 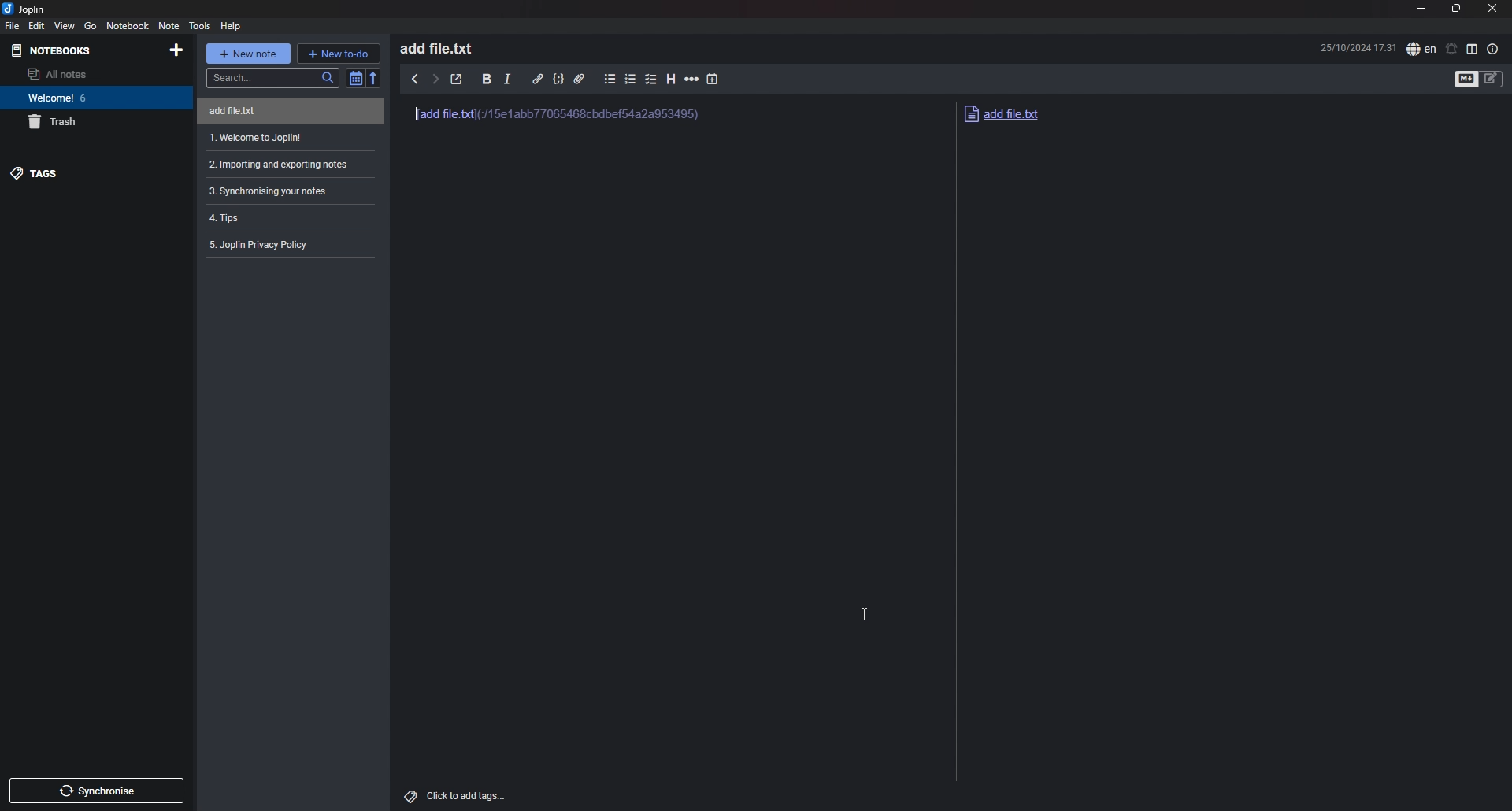 What do you see at coordinates (81, 73) in the screenshot?
I see `all notes` at bounding box center [81, 73].